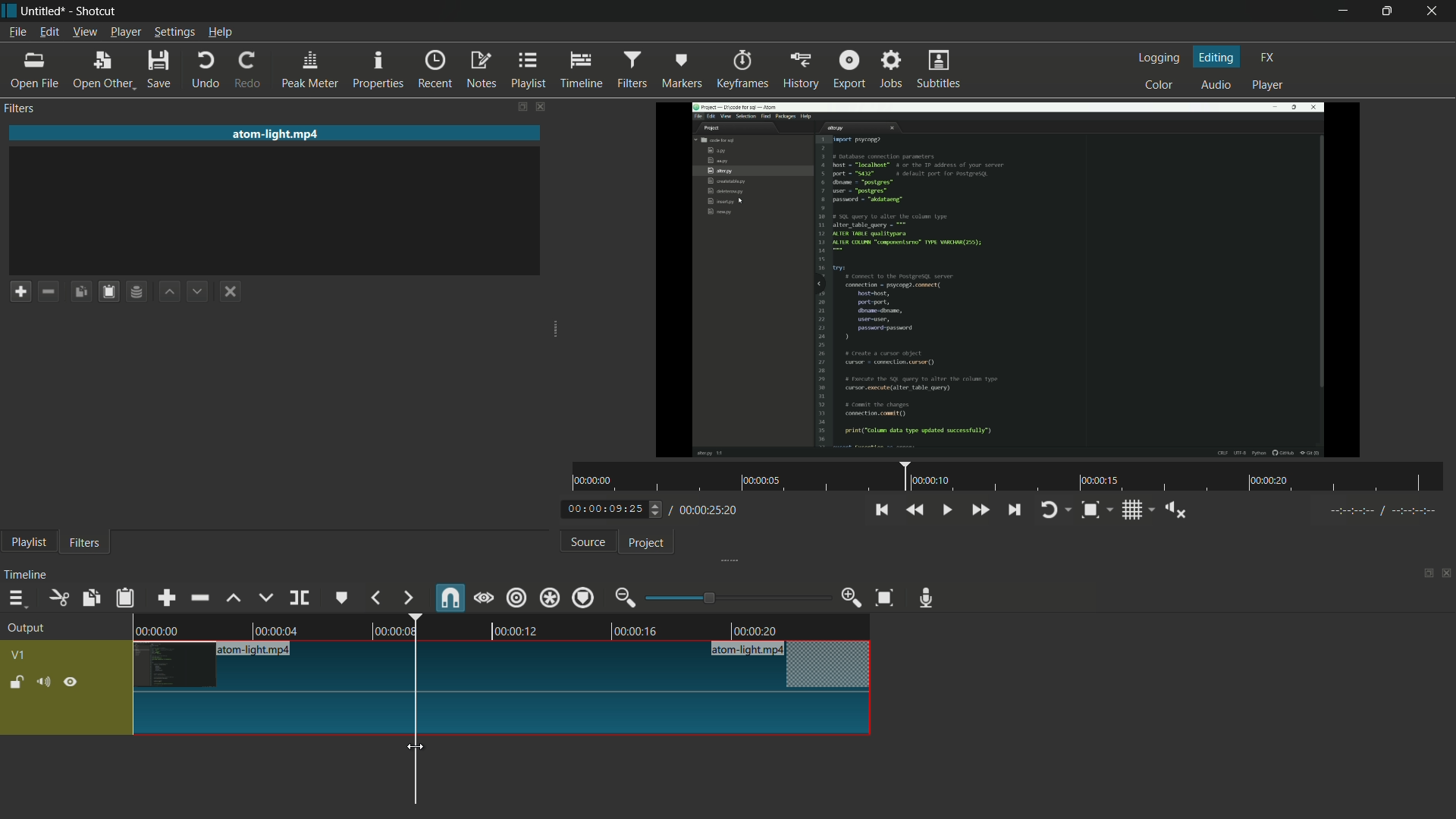 This screenshot has height=819, width=1456. What do you see at coordinates (127, 598) in the screenshot?
I see `paste filters` at bounding box center [127, 598].